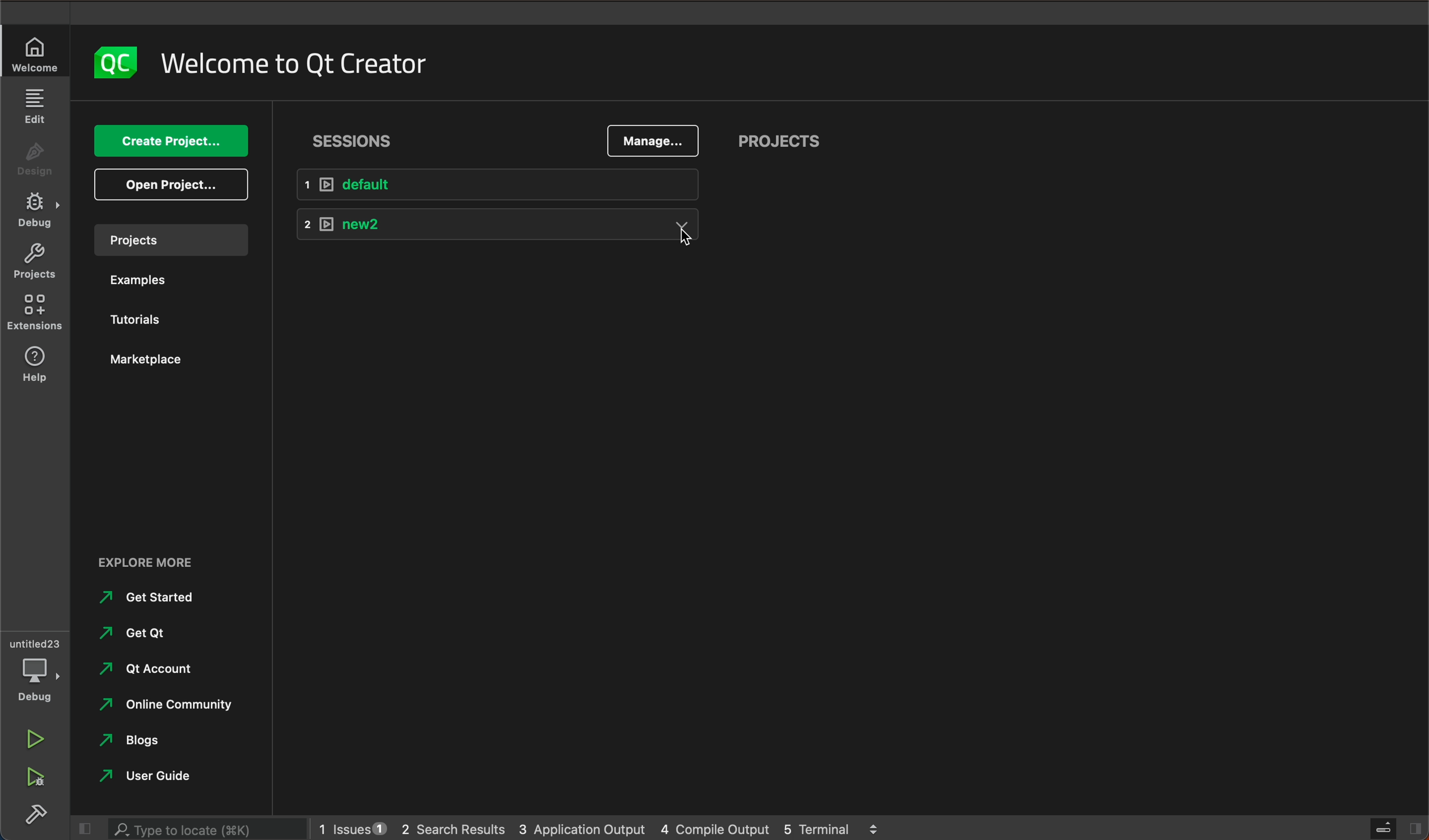 This screenshot has height=840, width=1429. What do you see at coordinates (653, 141) in the screenshot?
I see `mange ` at bounding box center [653, 141].